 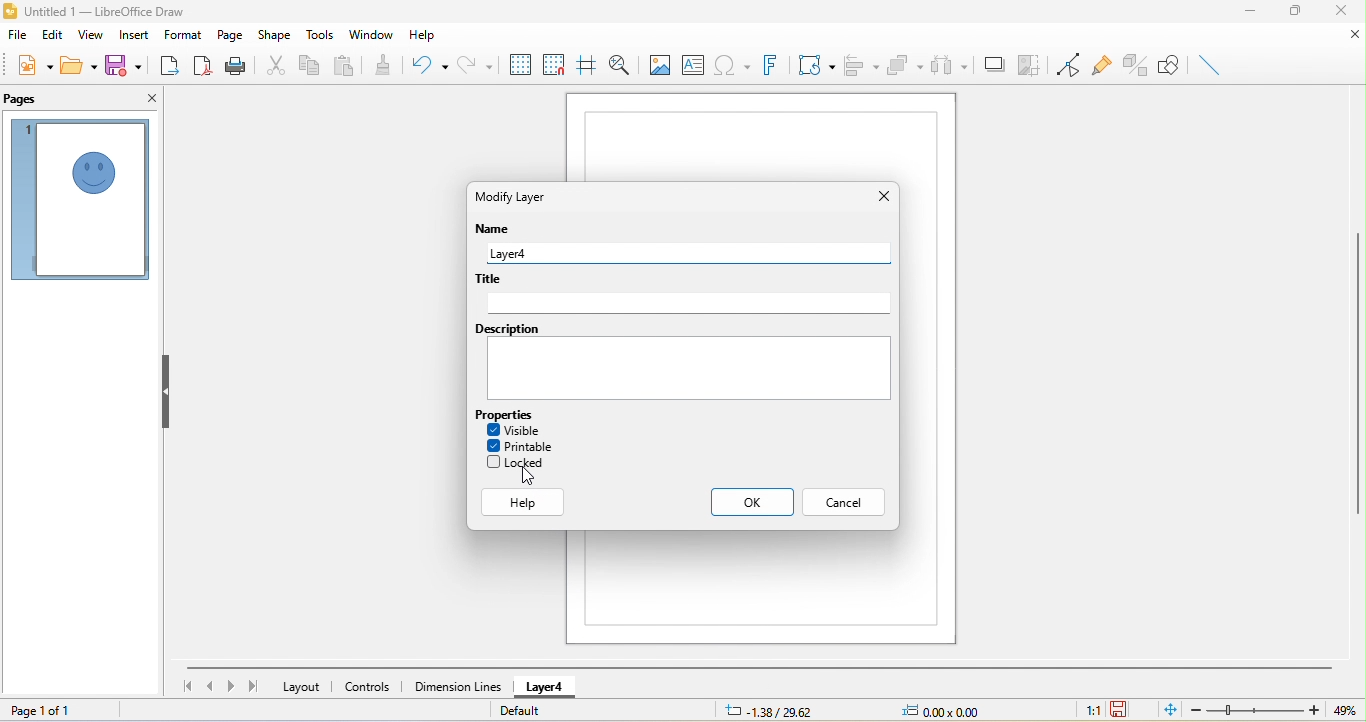 I want to click on help, so click(x=526, y=503).